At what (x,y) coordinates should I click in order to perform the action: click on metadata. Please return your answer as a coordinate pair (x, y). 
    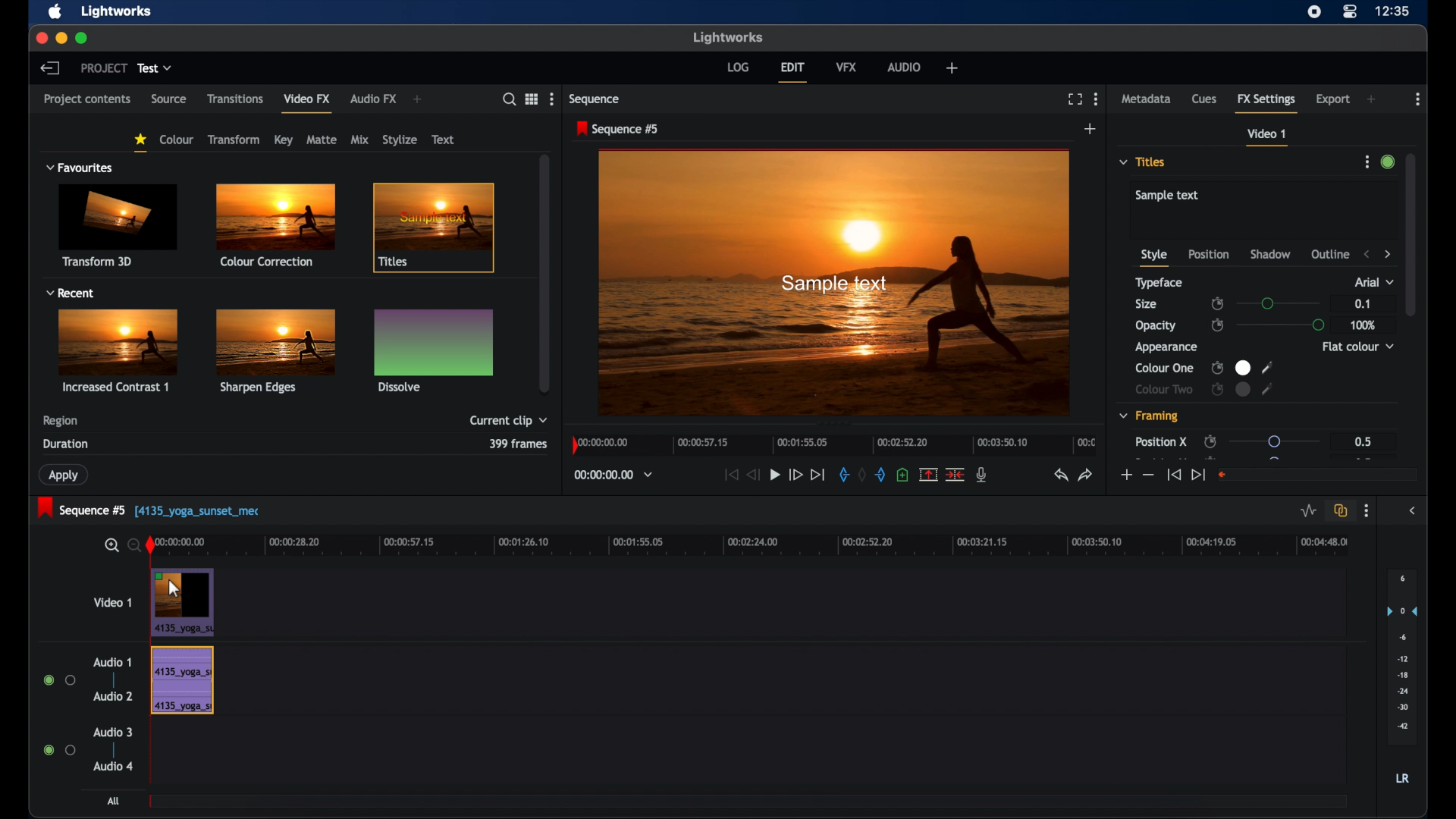
    Looking at the image, I should click on (1146, 98).